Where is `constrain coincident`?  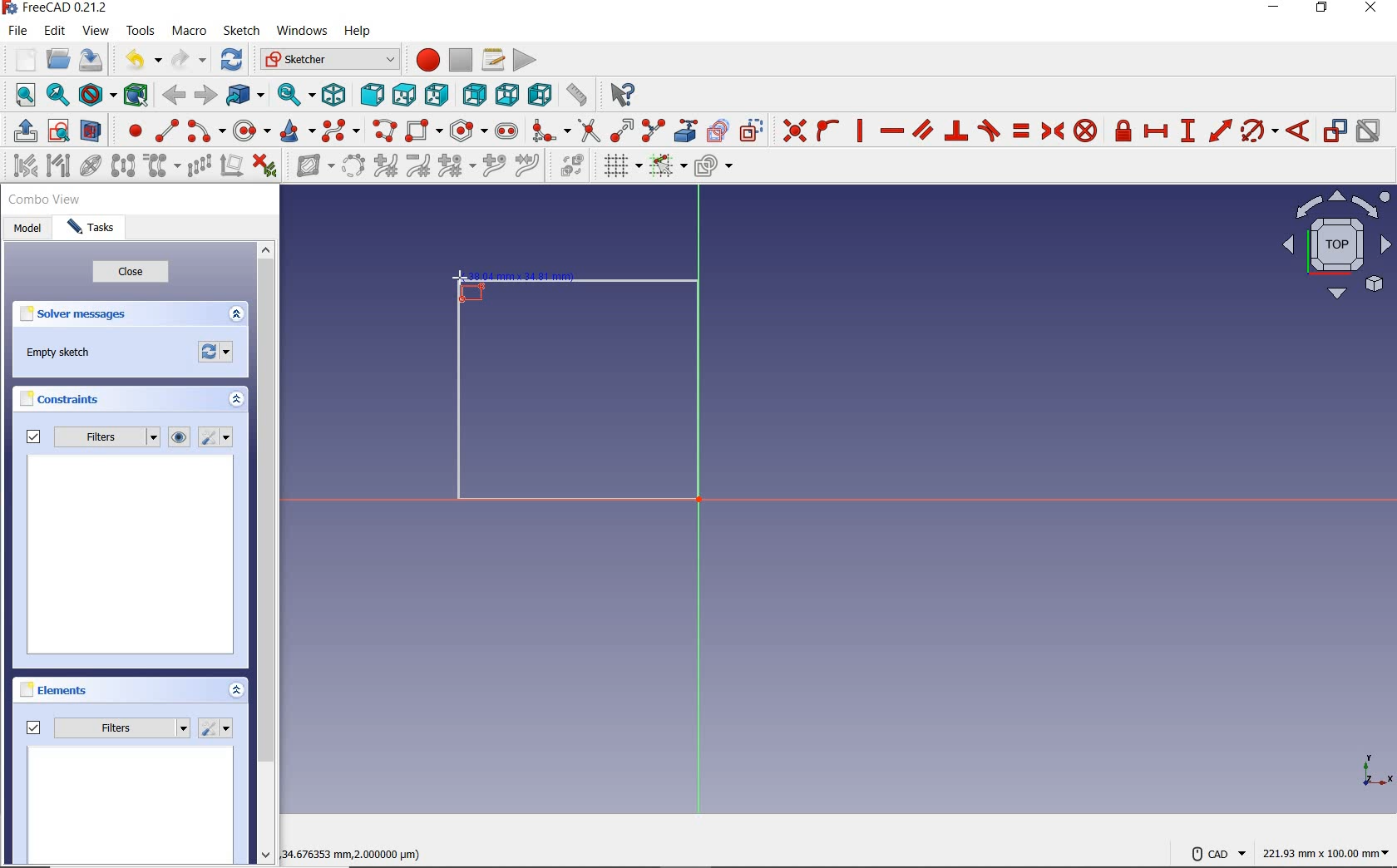
constrain coincident is located at coordinates (792, 131).